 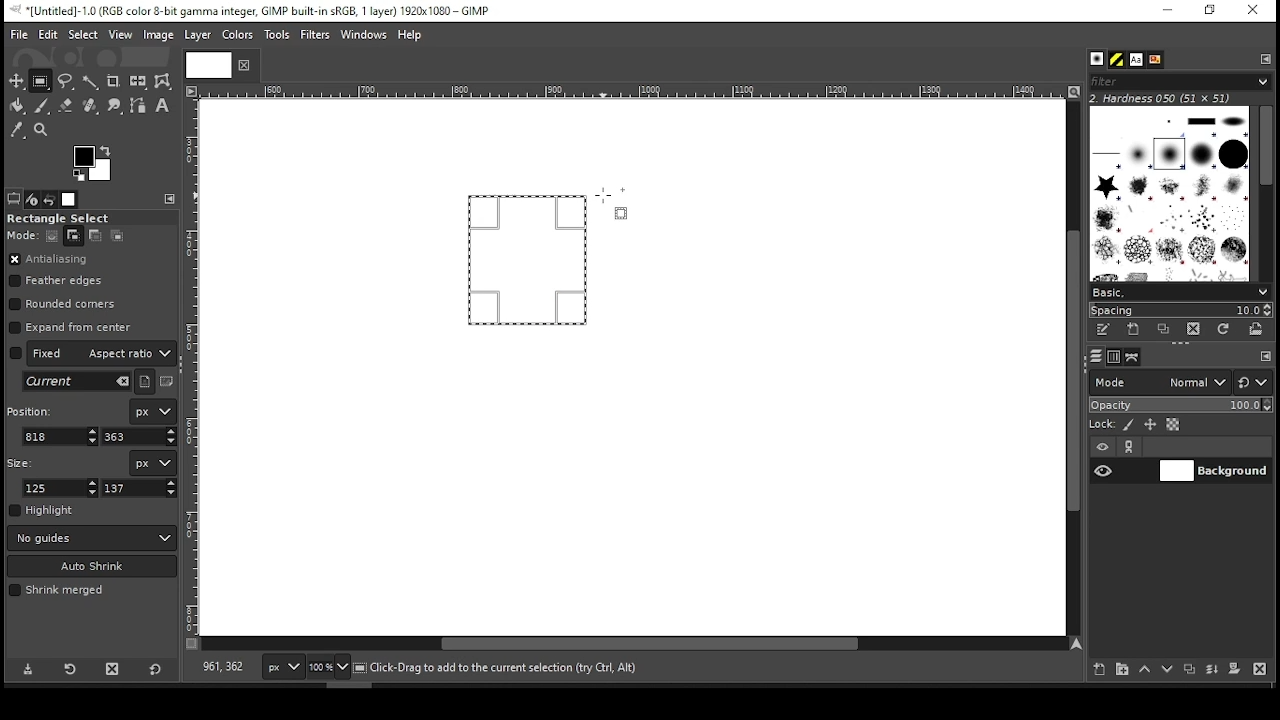 I want to click on pick aspect ration, so click(x=77, y=382).